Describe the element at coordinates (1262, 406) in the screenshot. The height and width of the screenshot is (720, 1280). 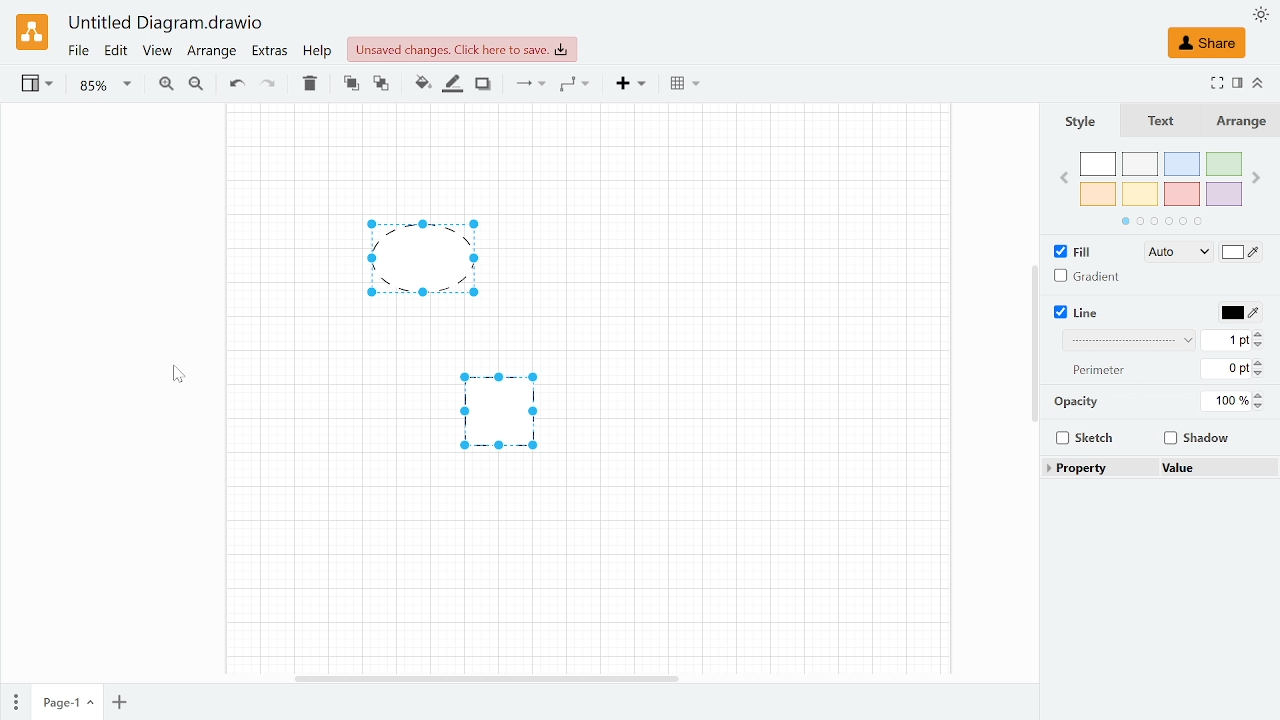
I see `Decrease opacity` at that location.